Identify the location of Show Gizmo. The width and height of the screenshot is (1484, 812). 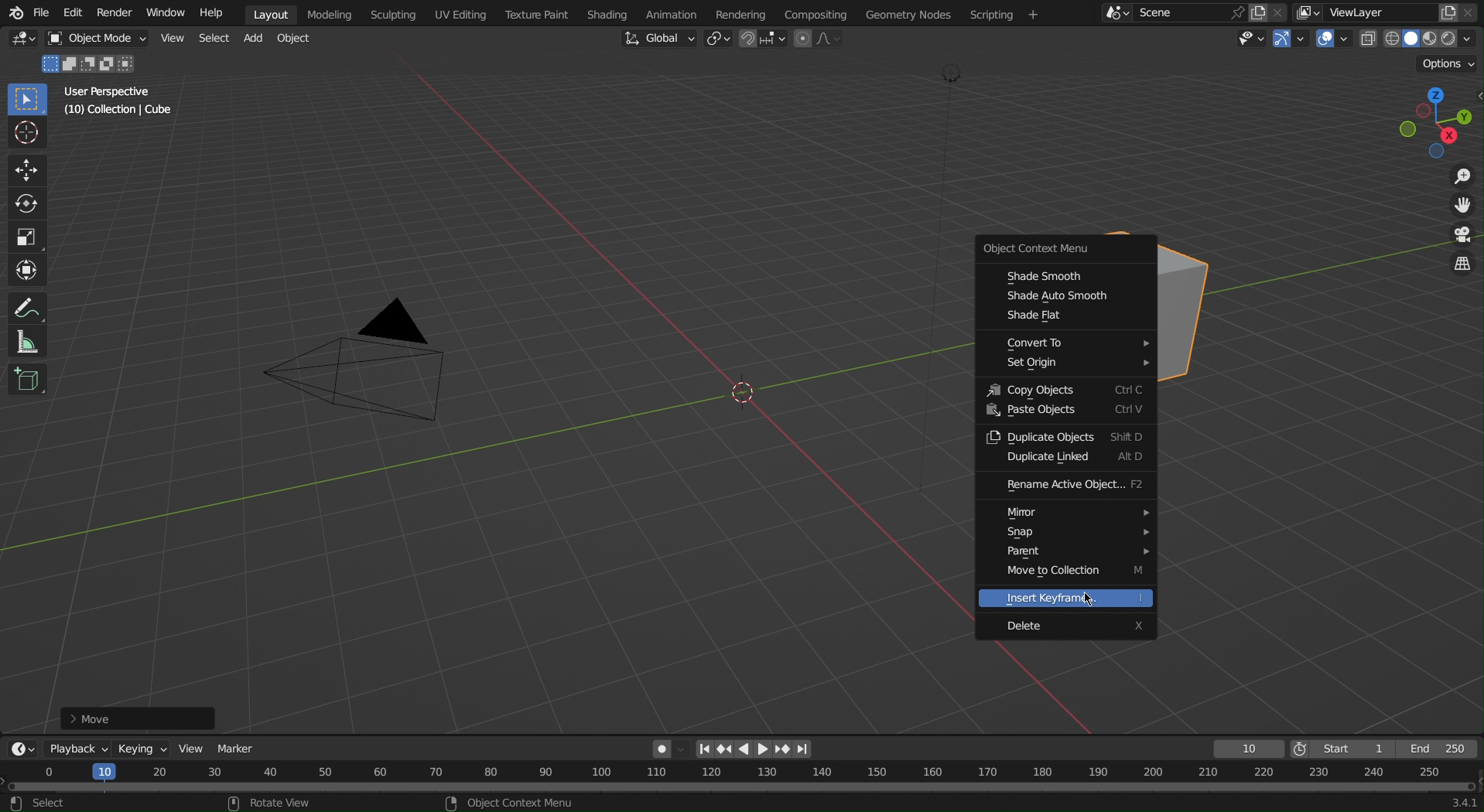
(1288, 39).